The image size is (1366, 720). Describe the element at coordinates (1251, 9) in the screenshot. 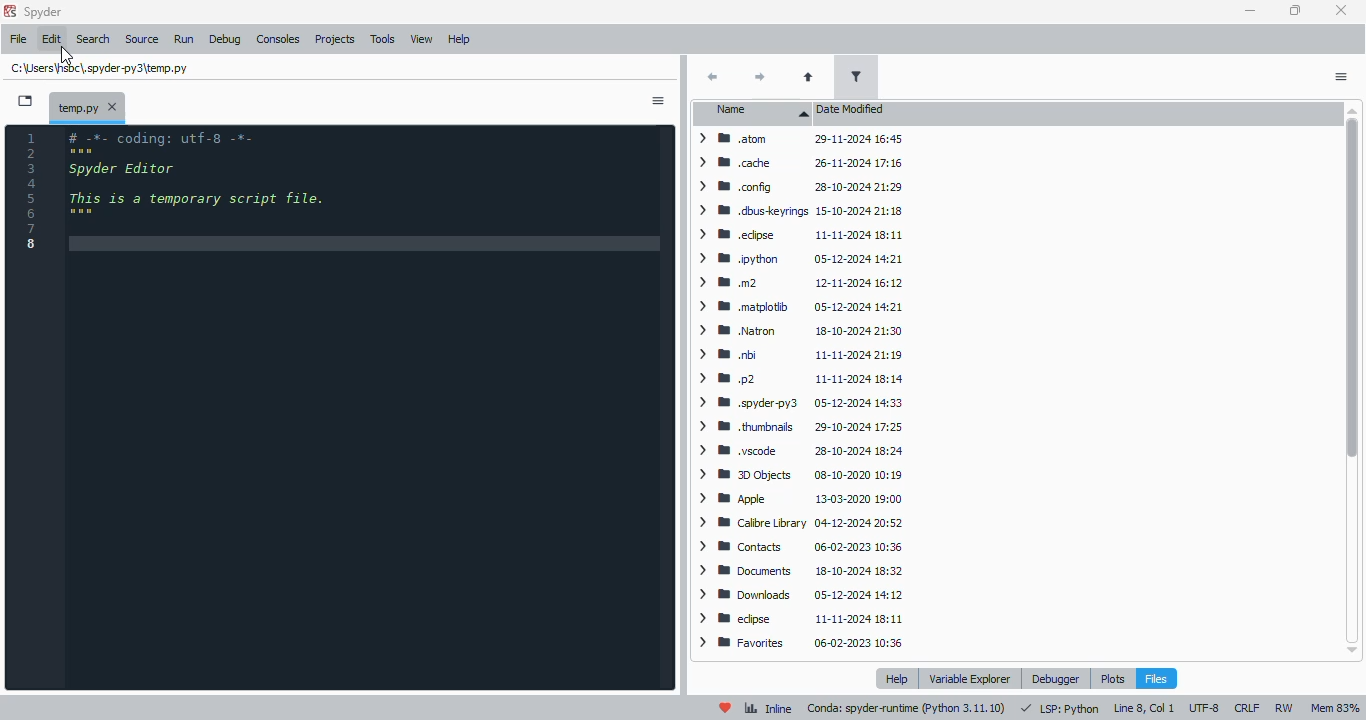

I see `minimize` at that location.